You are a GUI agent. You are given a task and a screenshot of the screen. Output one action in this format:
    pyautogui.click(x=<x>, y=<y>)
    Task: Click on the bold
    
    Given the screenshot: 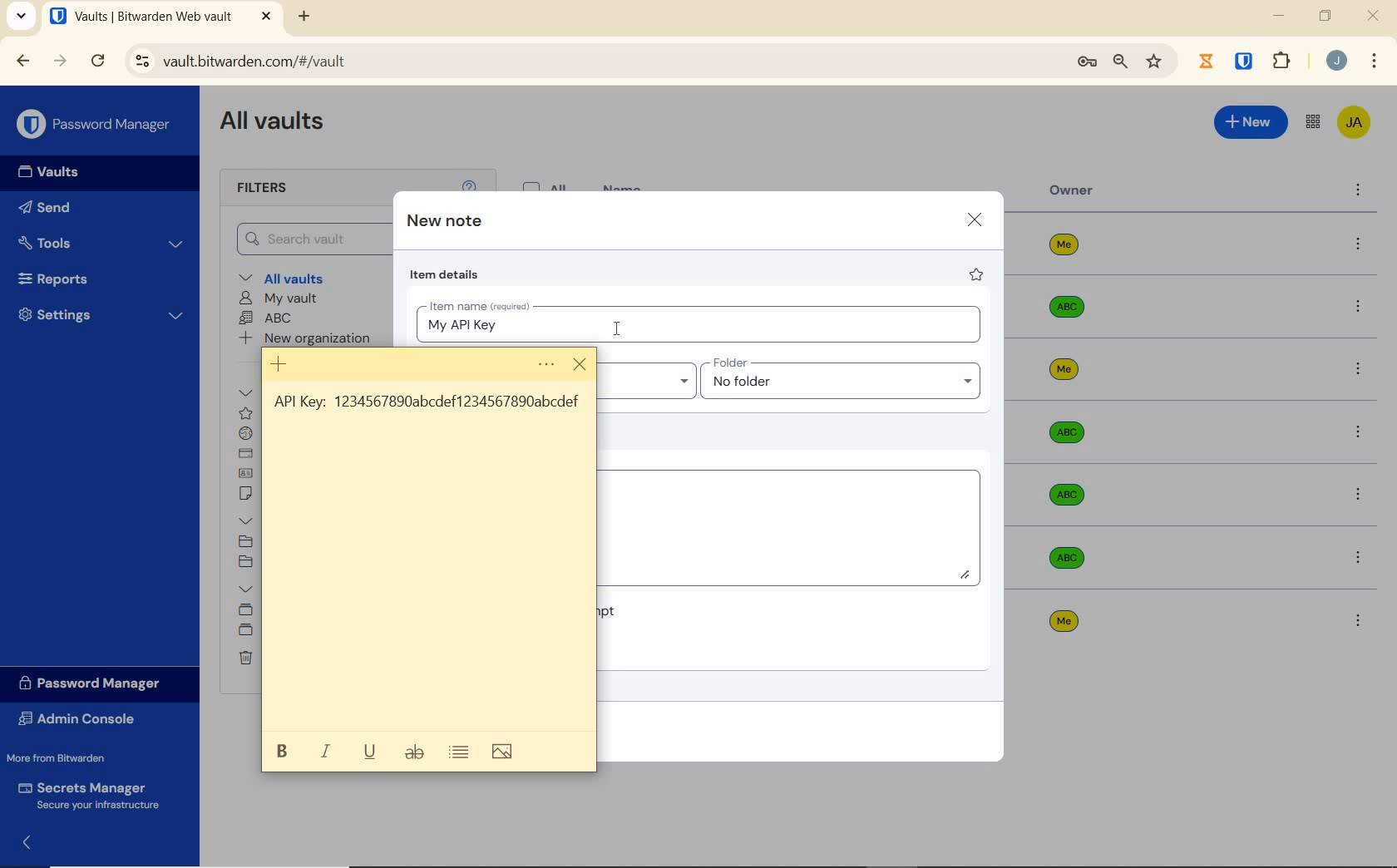 What is the action you would take?
    pyautogui.click(x=282, y=752)
    